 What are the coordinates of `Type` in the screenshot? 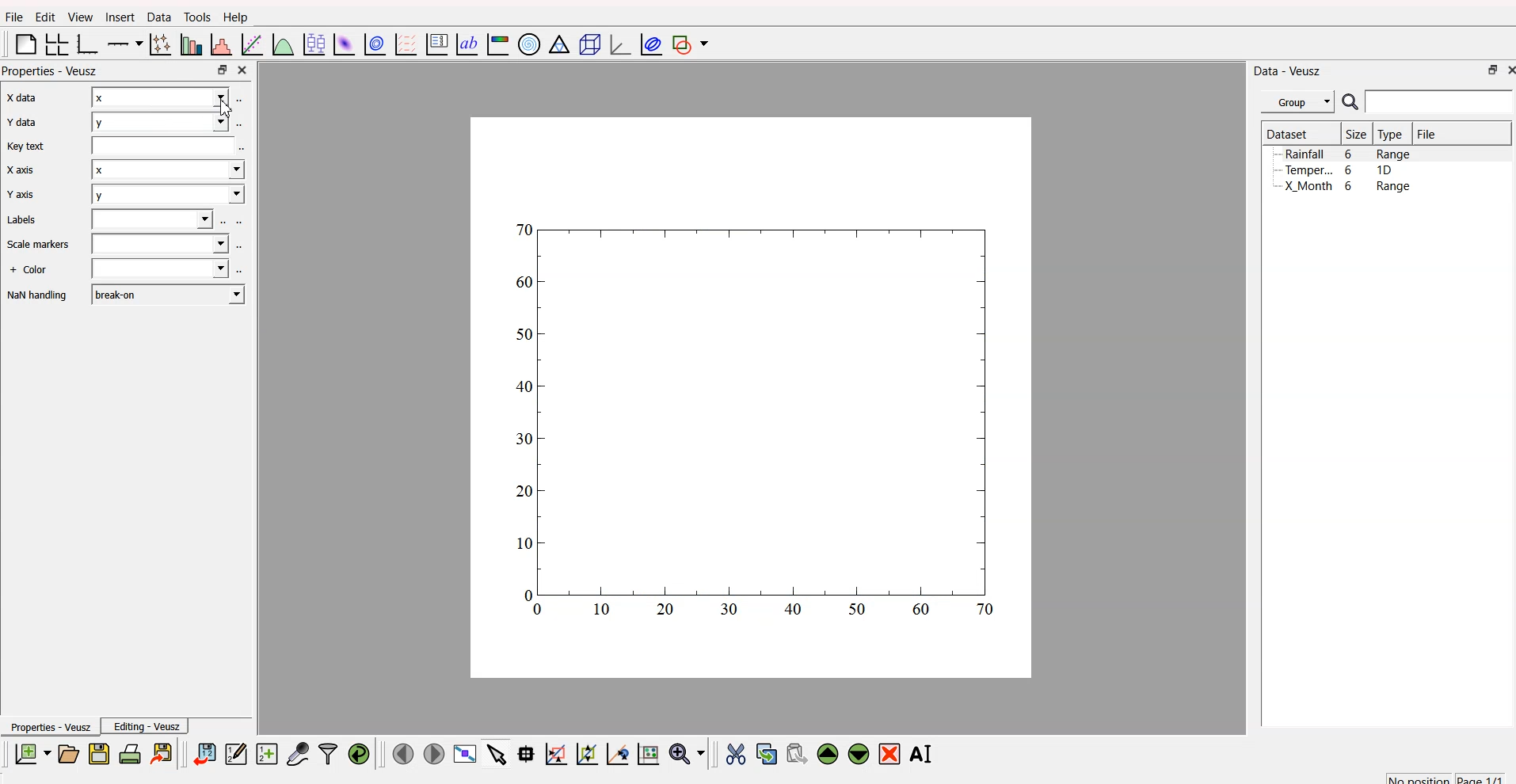 It's located at (1391, 135).